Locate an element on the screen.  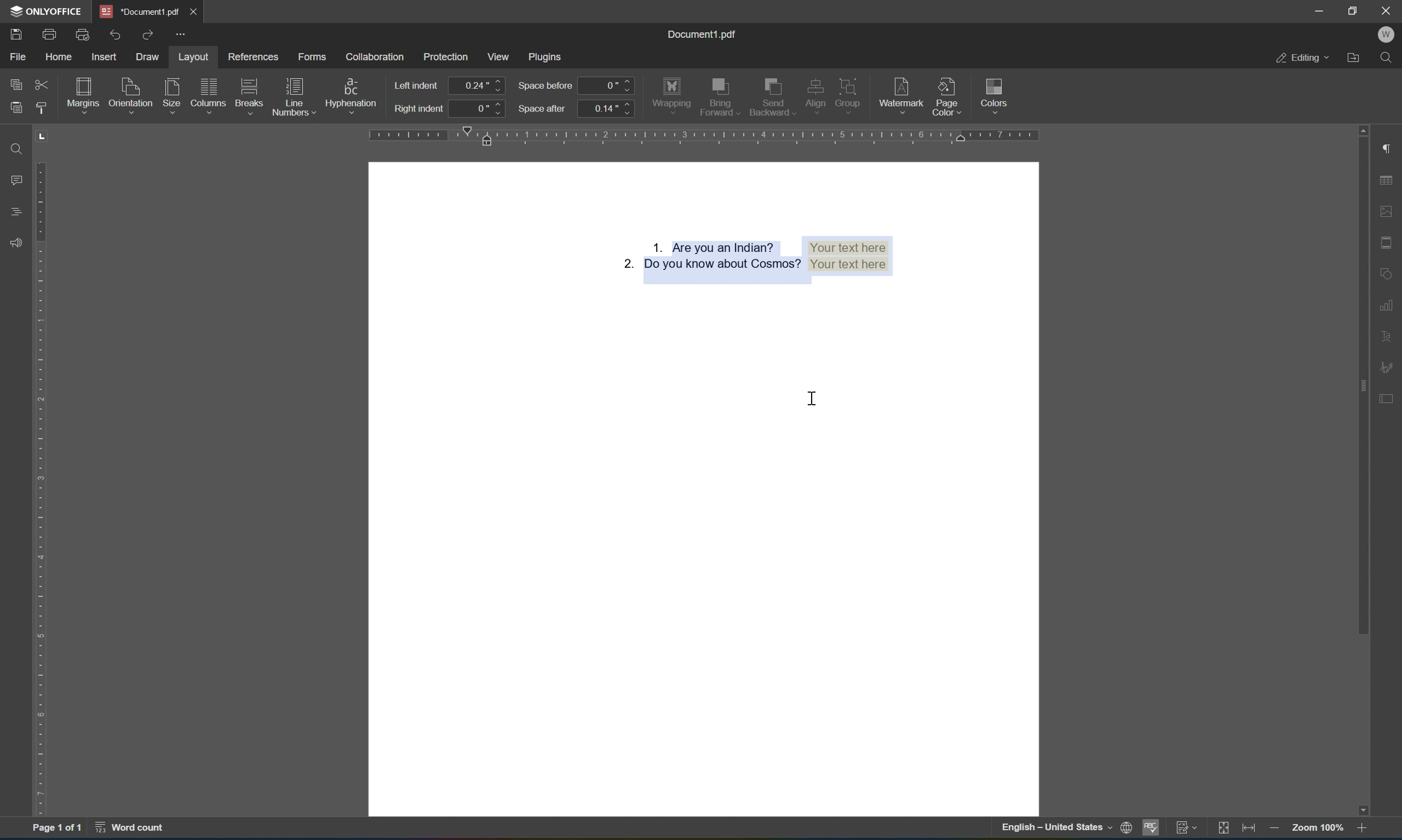
fit to slide is located at coordinates (1221, 829).